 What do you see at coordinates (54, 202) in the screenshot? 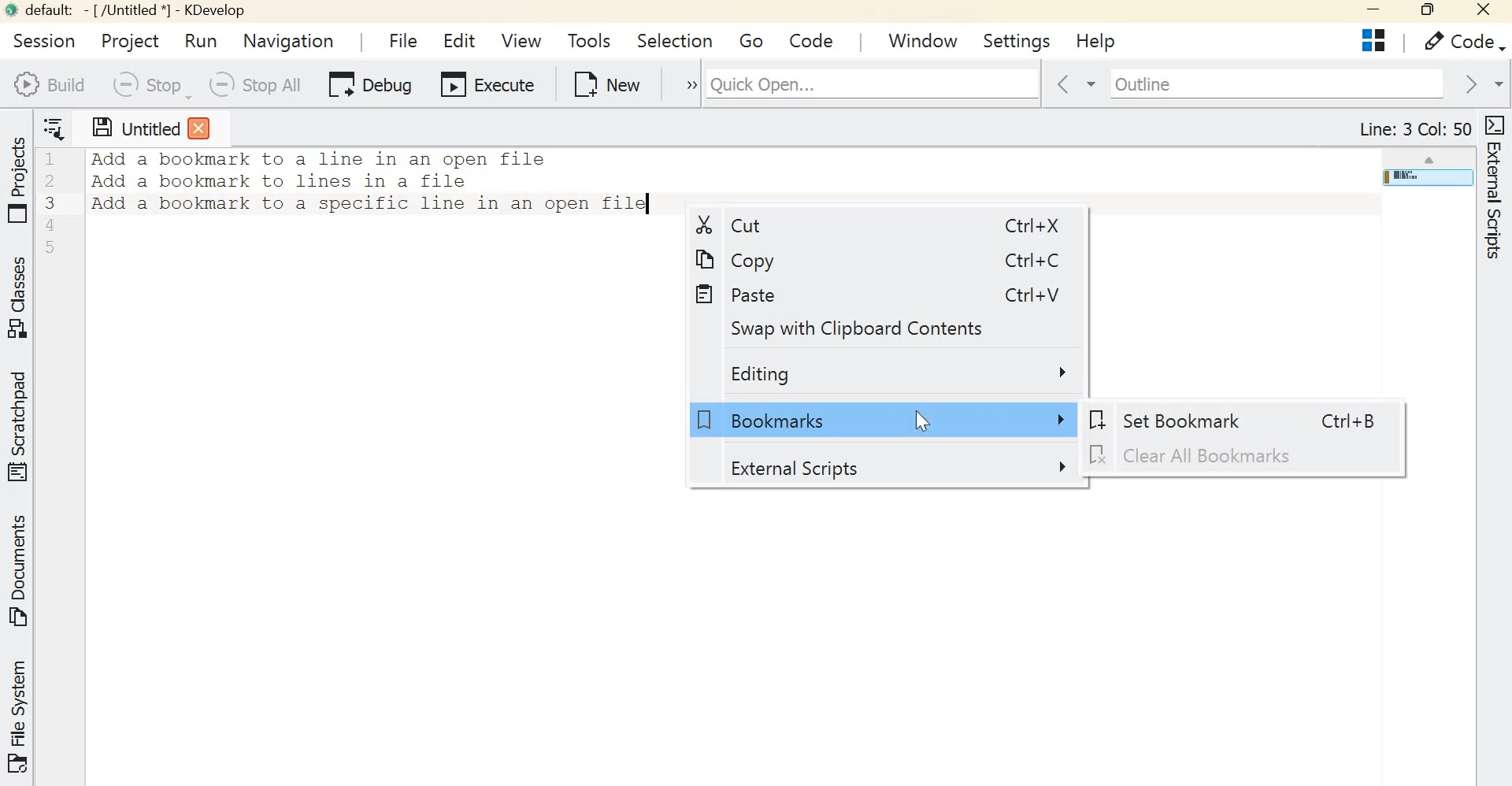
I see `Line numbers` at bounding box center [54, 202].